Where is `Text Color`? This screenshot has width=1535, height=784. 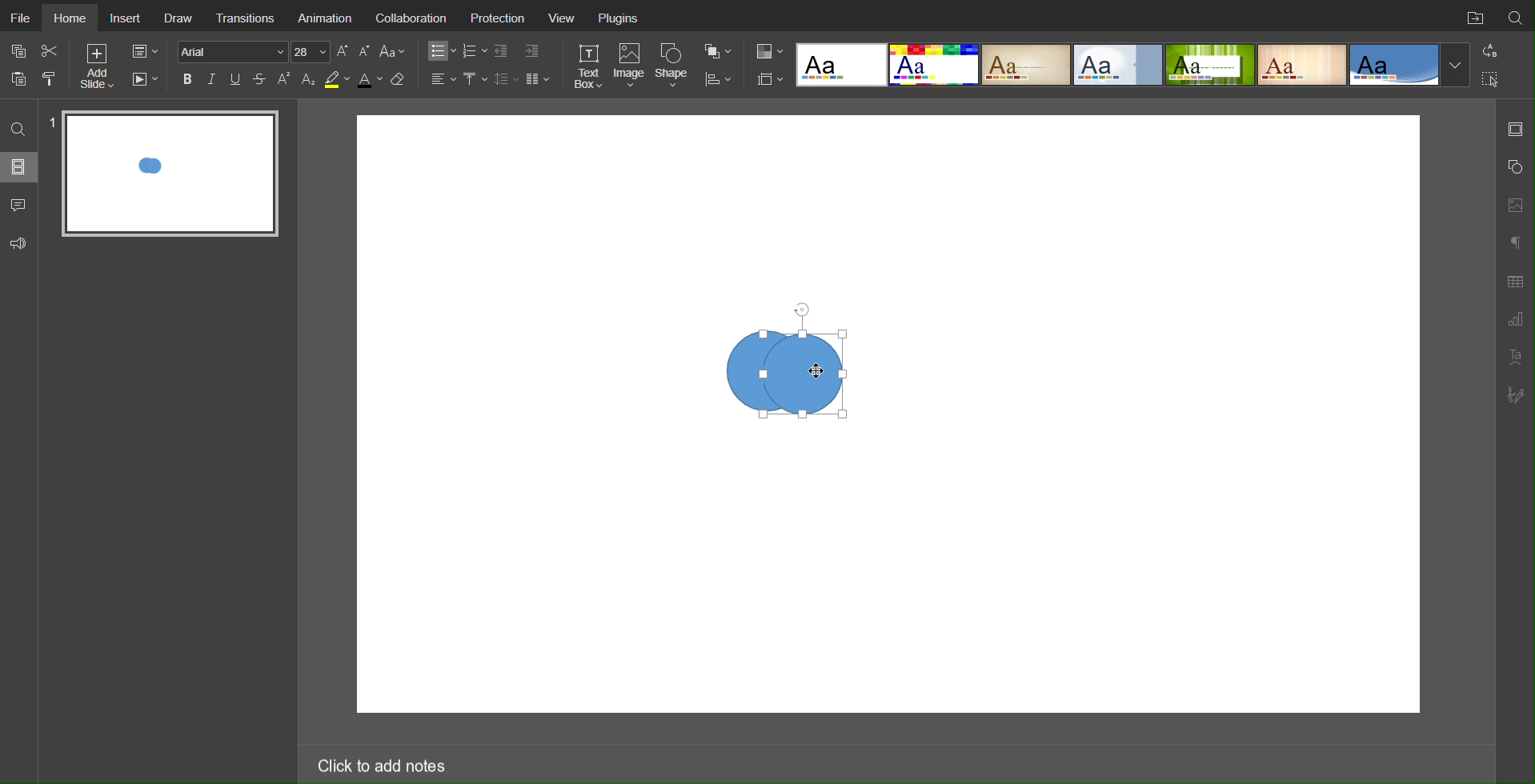
Text Color is located at coordinates (369, 80).